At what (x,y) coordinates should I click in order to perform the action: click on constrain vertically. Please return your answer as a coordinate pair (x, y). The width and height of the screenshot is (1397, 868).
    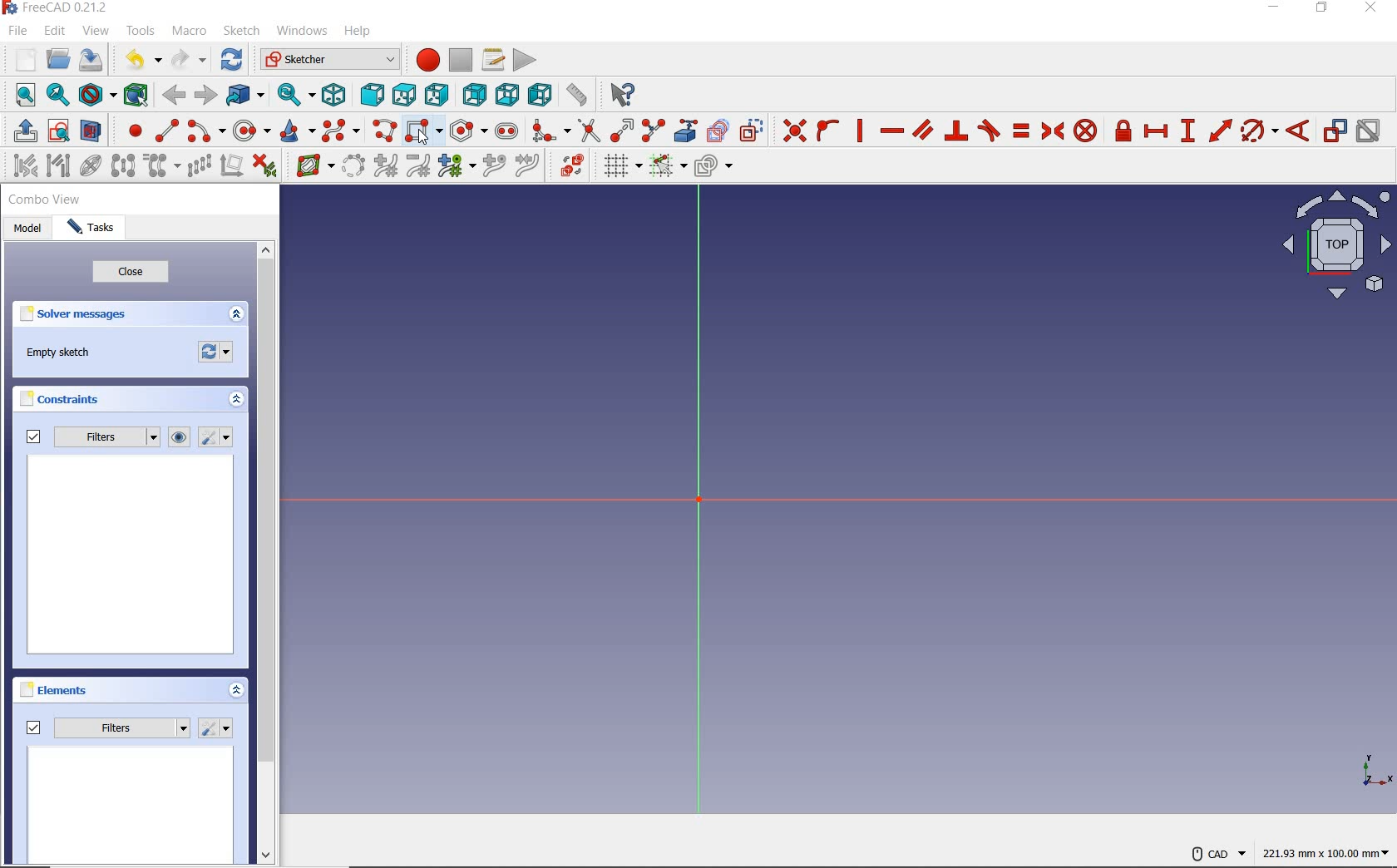
    Looking at the image, I should click on (861, 131).